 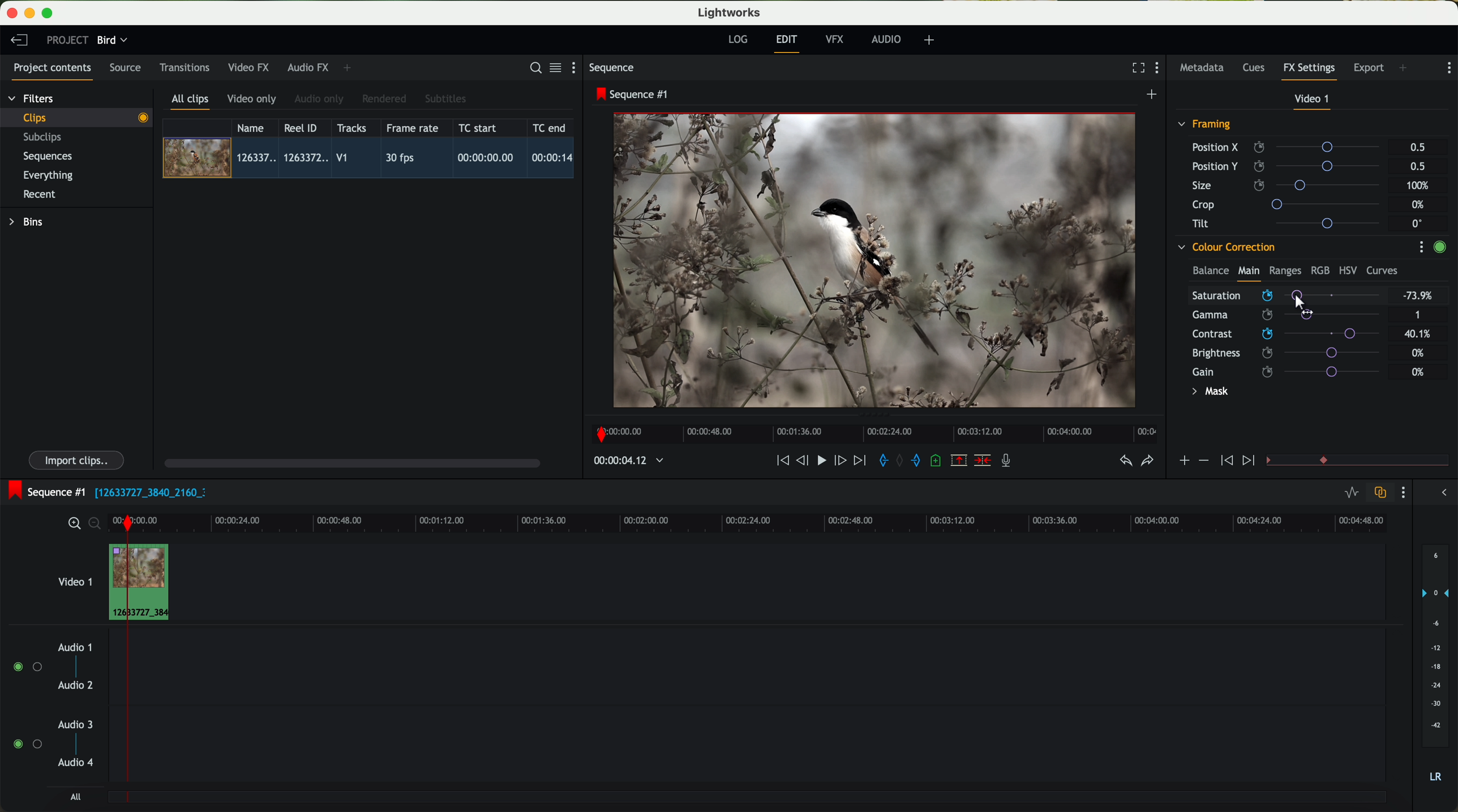 I want to click on import clips, so click(x=78, y=459).